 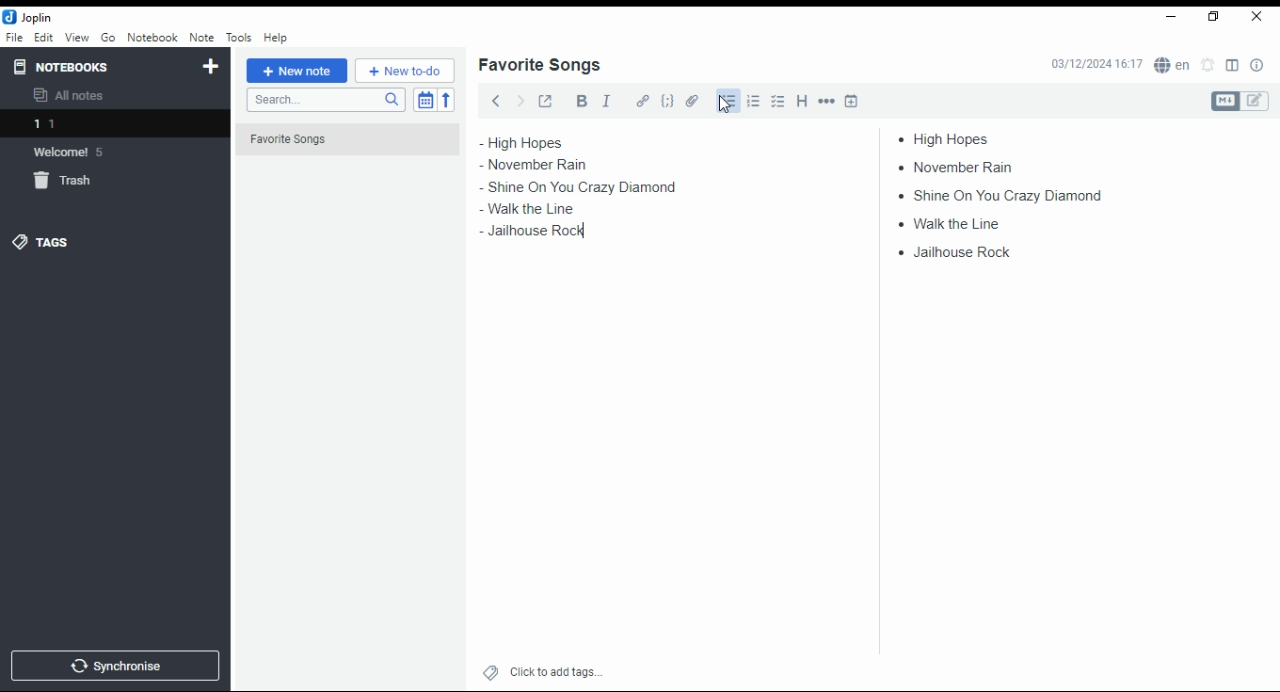 I want to click on edit, so click(x=43, y=36).